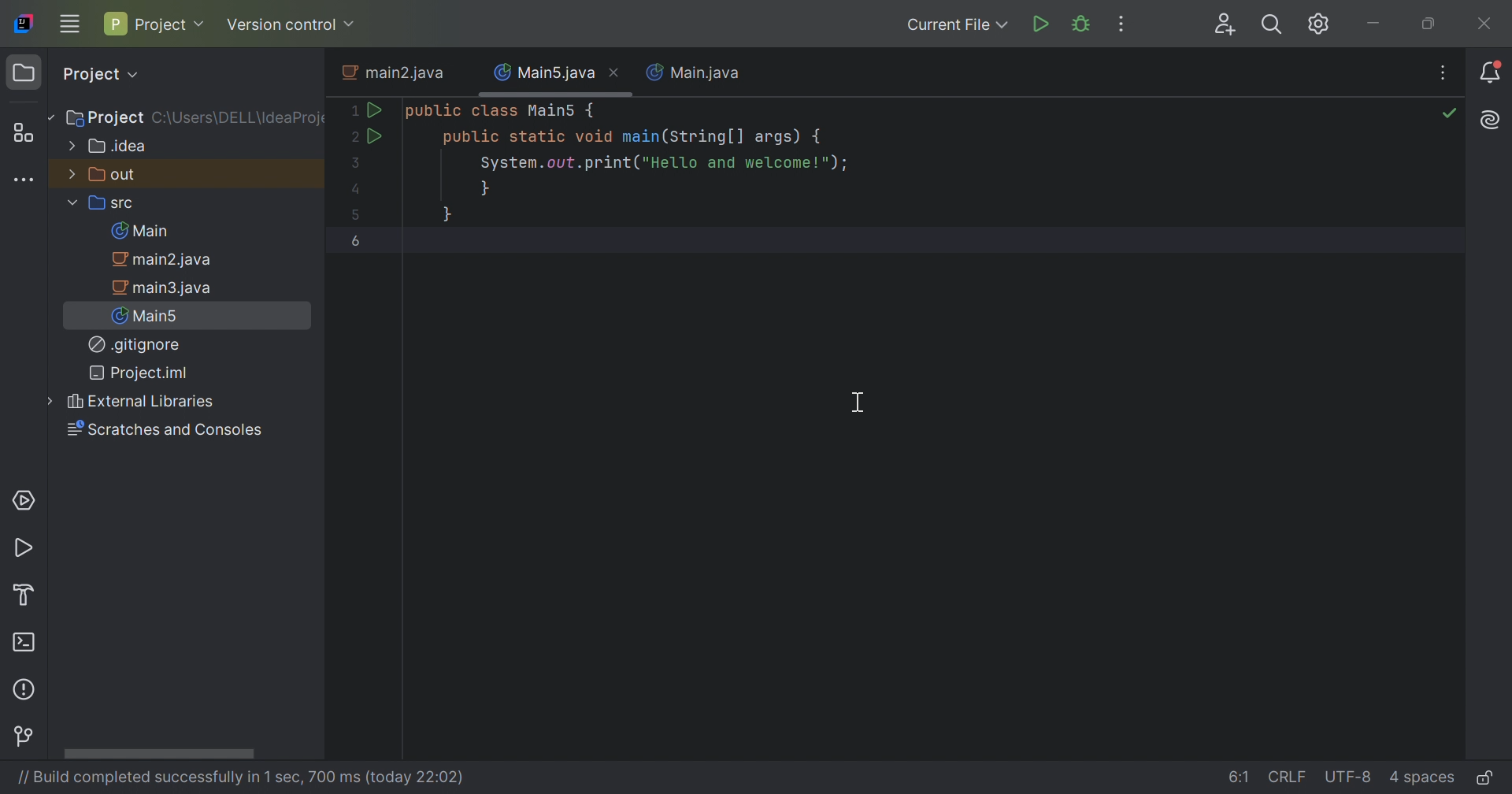 The height and width of the screenshot is (794, 1512). I want to click on No problems found, so click(1449, 117).